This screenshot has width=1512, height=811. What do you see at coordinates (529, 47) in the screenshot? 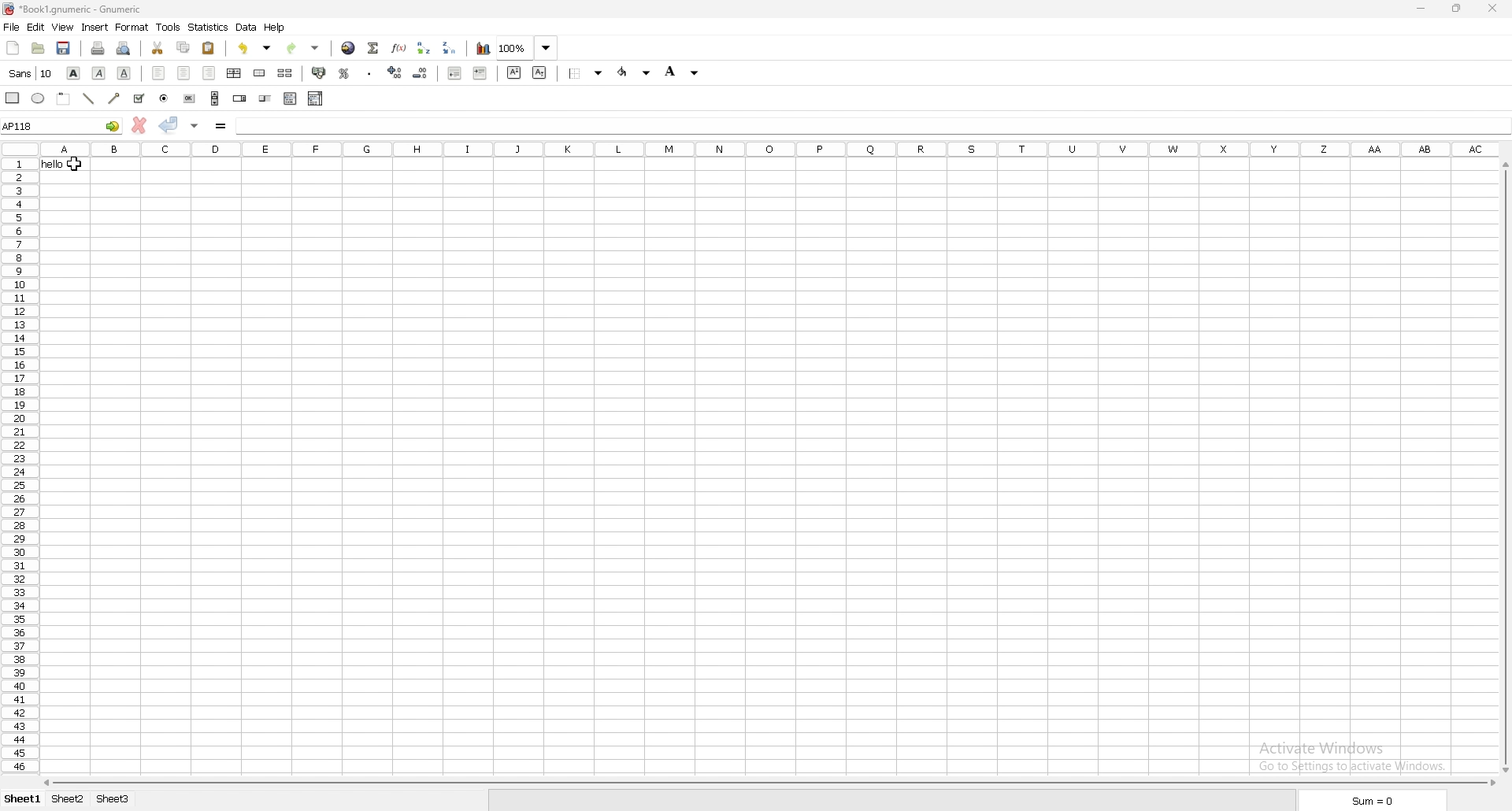
I see `zoom level` at bounding box center [529, 47].